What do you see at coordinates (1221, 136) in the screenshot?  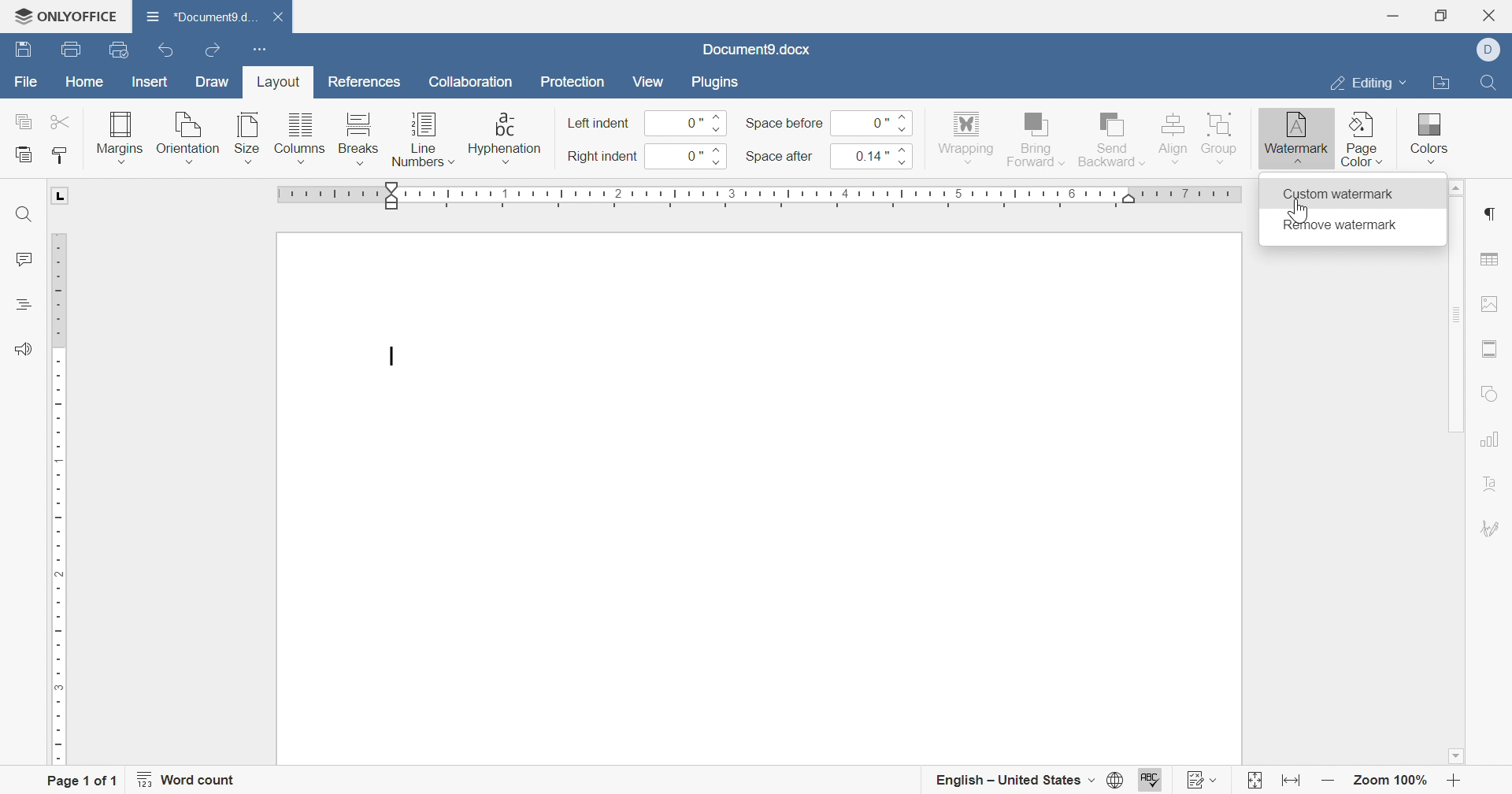 I see `group` at bounding box center [1221, 136].